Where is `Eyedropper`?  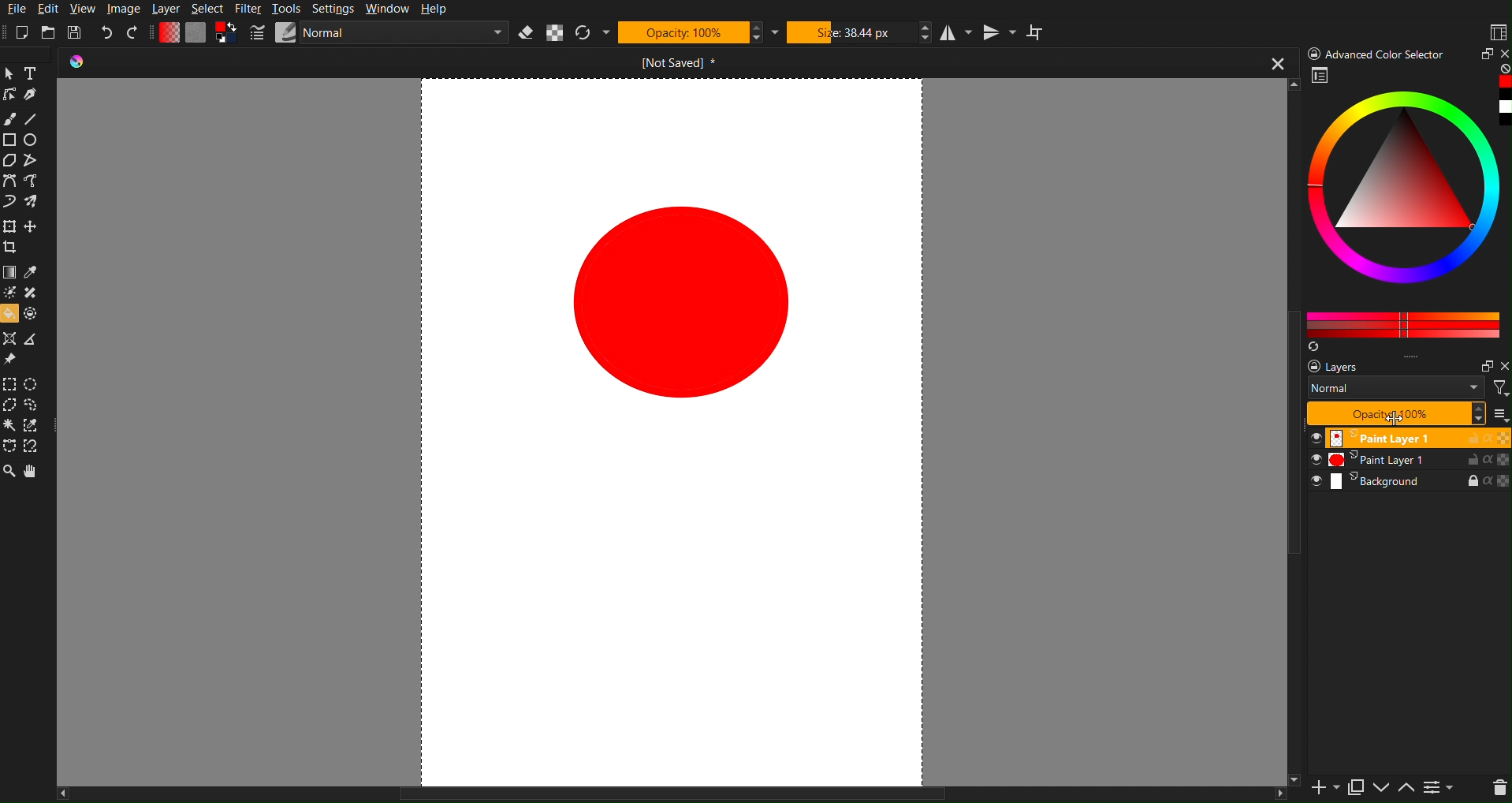
Eyedropper is located at coordinates (33, 272).